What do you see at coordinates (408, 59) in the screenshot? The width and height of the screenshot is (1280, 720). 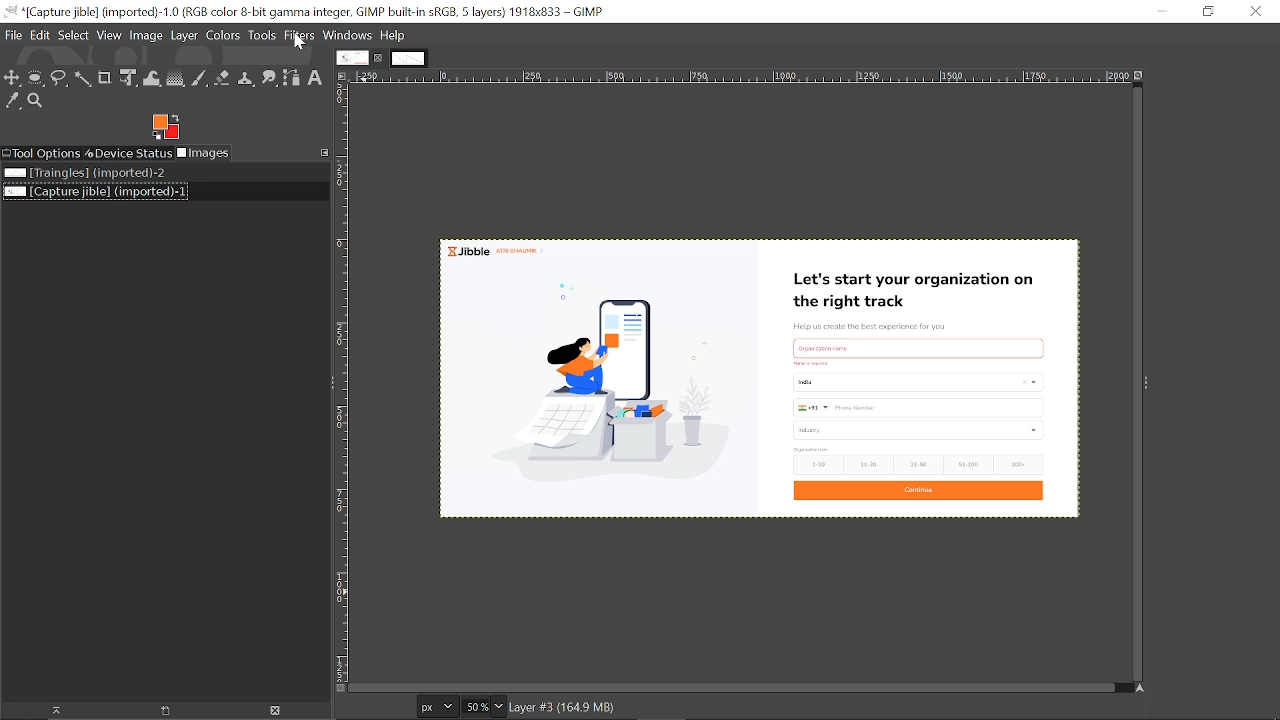 I see `Other tab` at bounding box center [408, 59].